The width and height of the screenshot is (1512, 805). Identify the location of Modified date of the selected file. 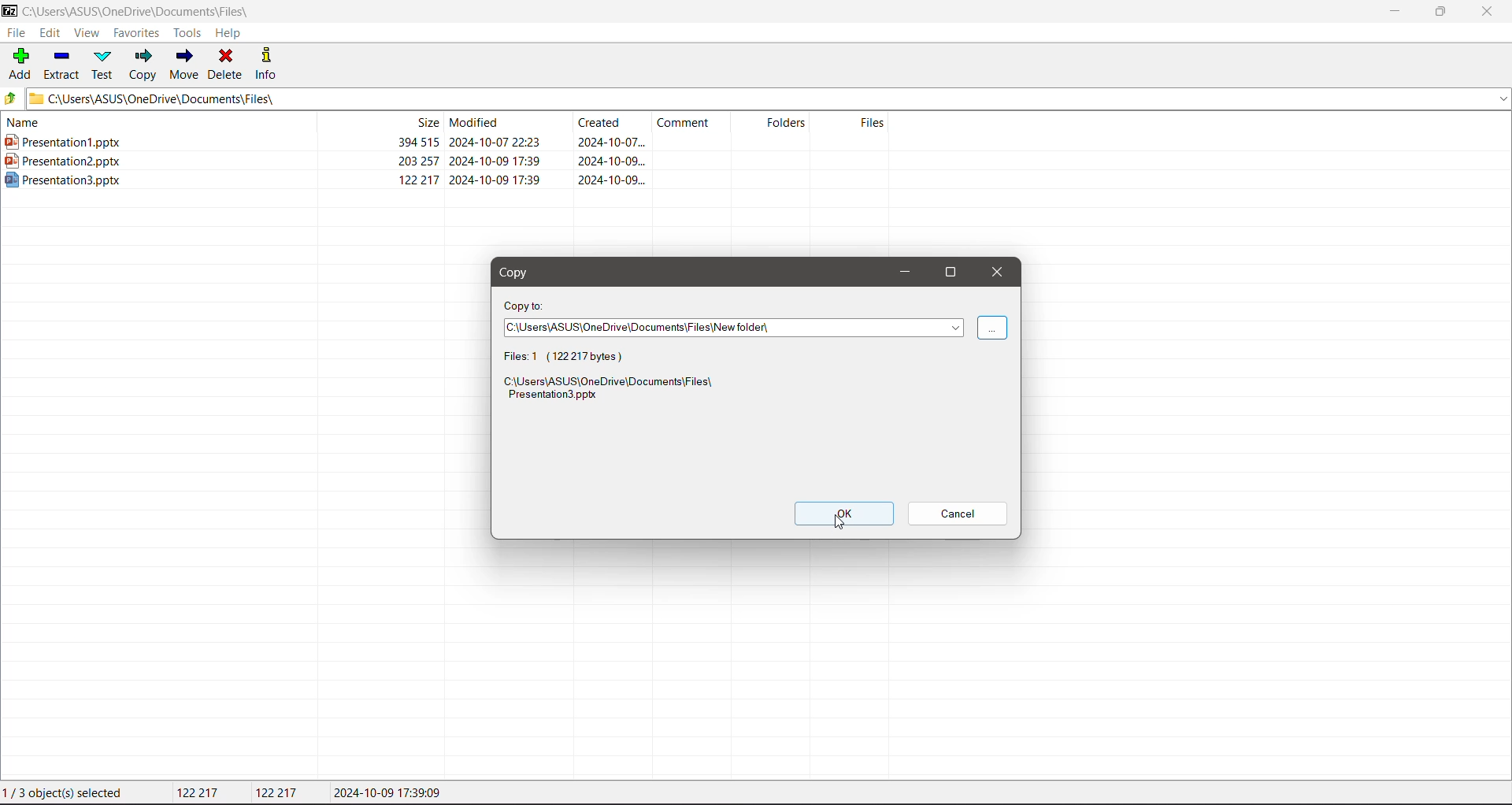
(392, 793).